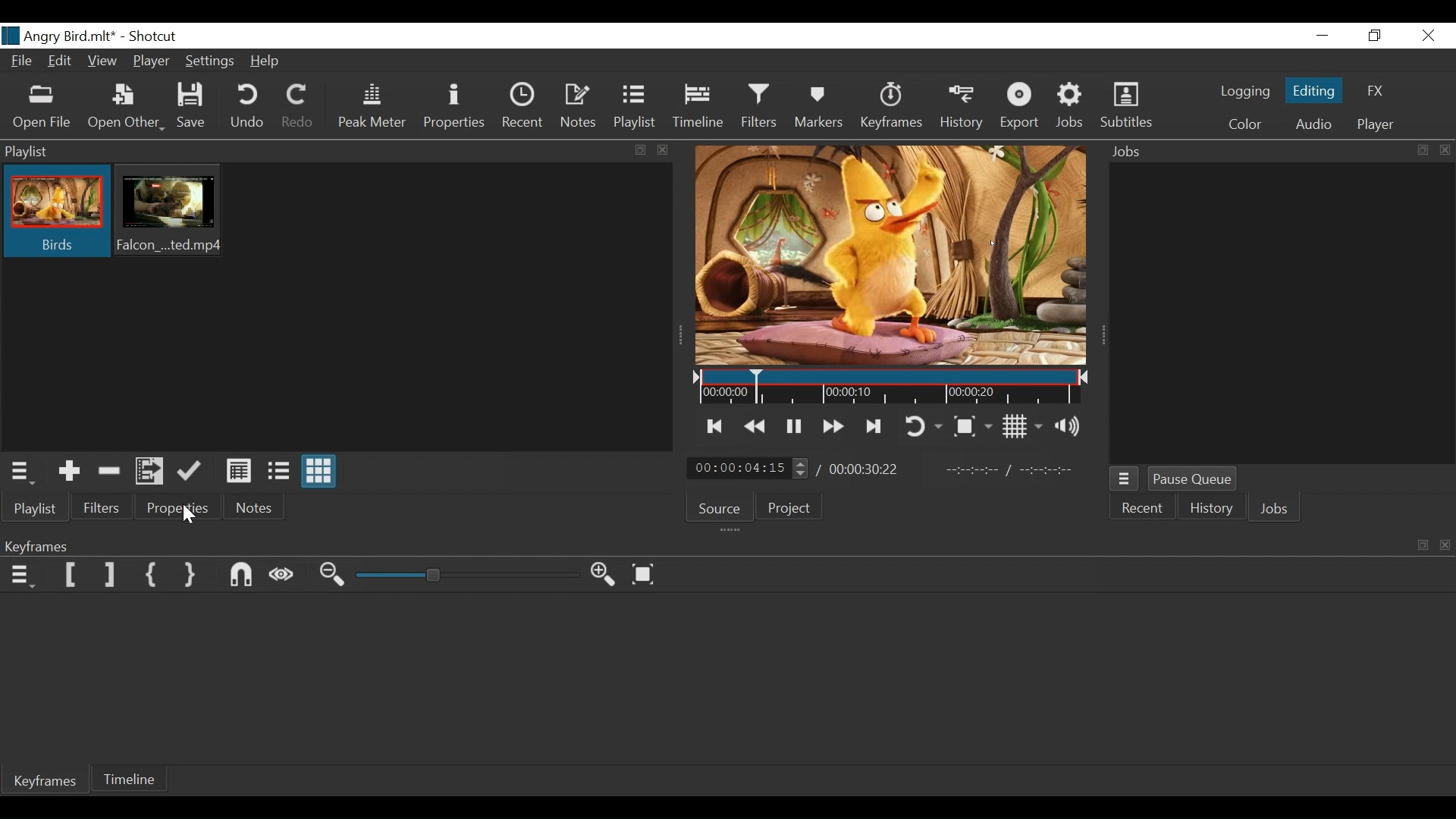 The width and height of the screenshot is (1456, 819). What do you see at coordinates (319, 472) in the screenshot?
I see `View as icons` at bounding box center [319, 472].